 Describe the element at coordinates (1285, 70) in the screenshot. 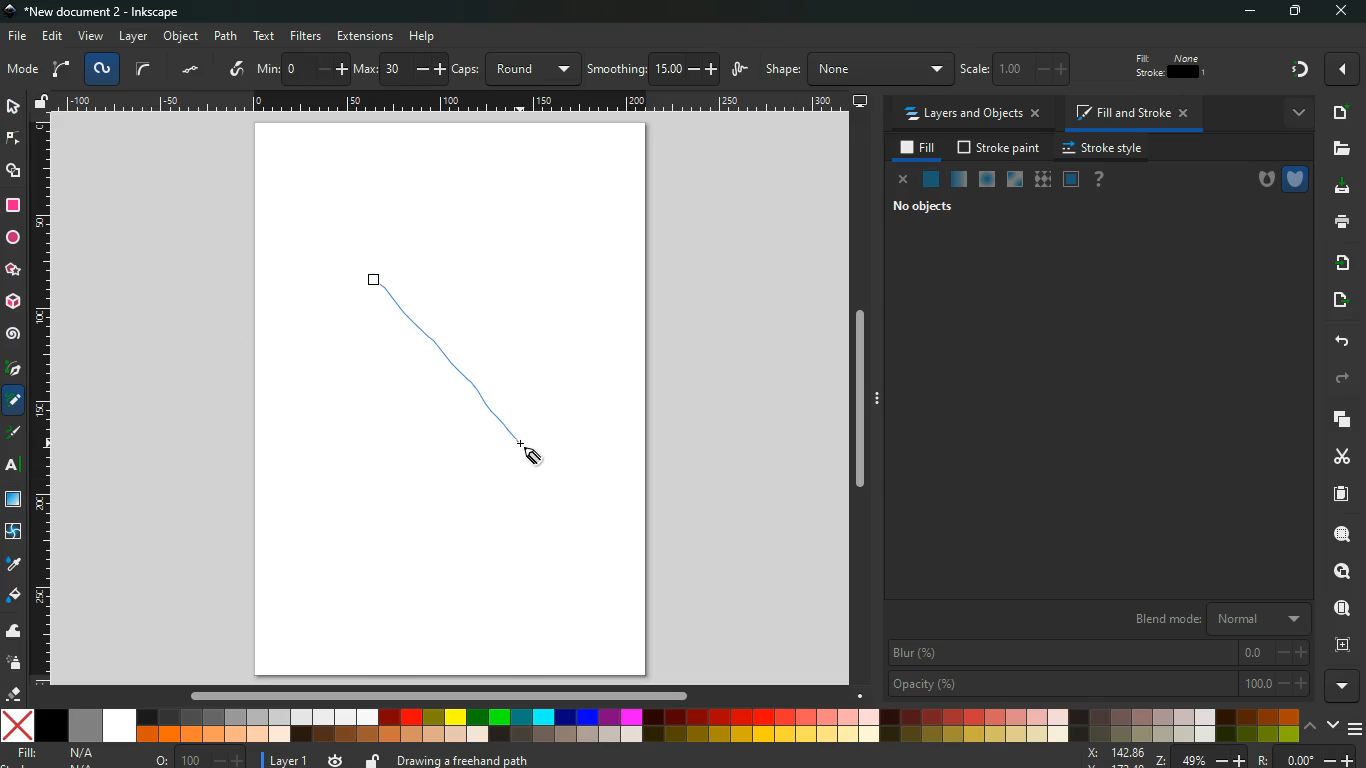

I see `` at that location.